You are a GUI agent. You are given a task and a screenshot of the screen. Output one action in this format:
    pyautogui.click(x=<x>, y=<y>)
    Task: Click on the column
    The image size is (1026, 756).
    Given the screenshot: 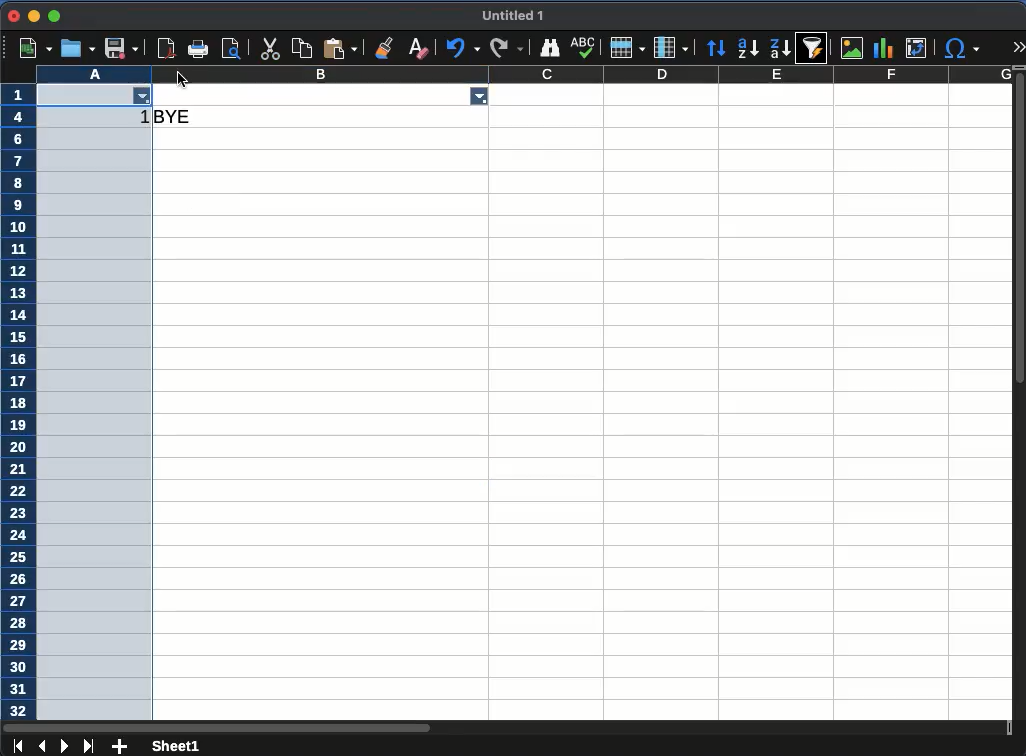 What is the action you would take?
    pyautogui.click(x=524, y=74)
    